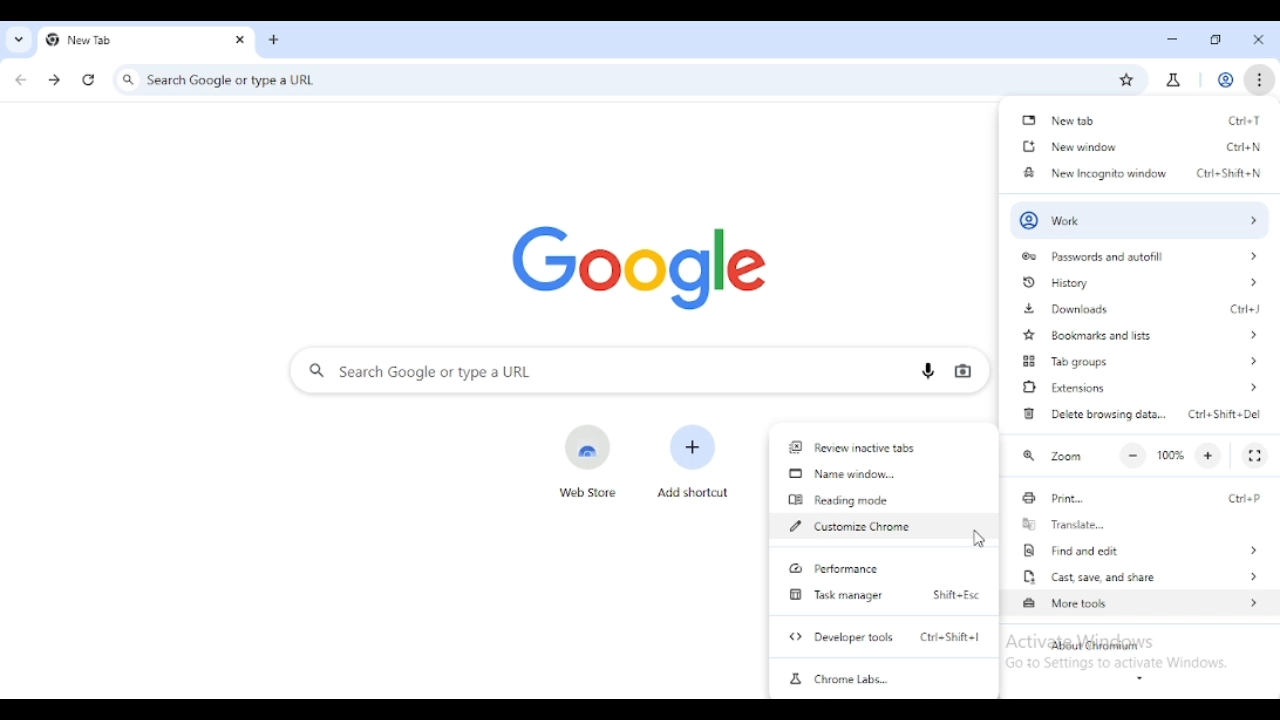 Image resolution: width=1280 pixels, height=720 pixels. What do you see at coordinates (1173, 81) in the screenshot?
I see `chrome labs` at bounding box center [1173, 81].